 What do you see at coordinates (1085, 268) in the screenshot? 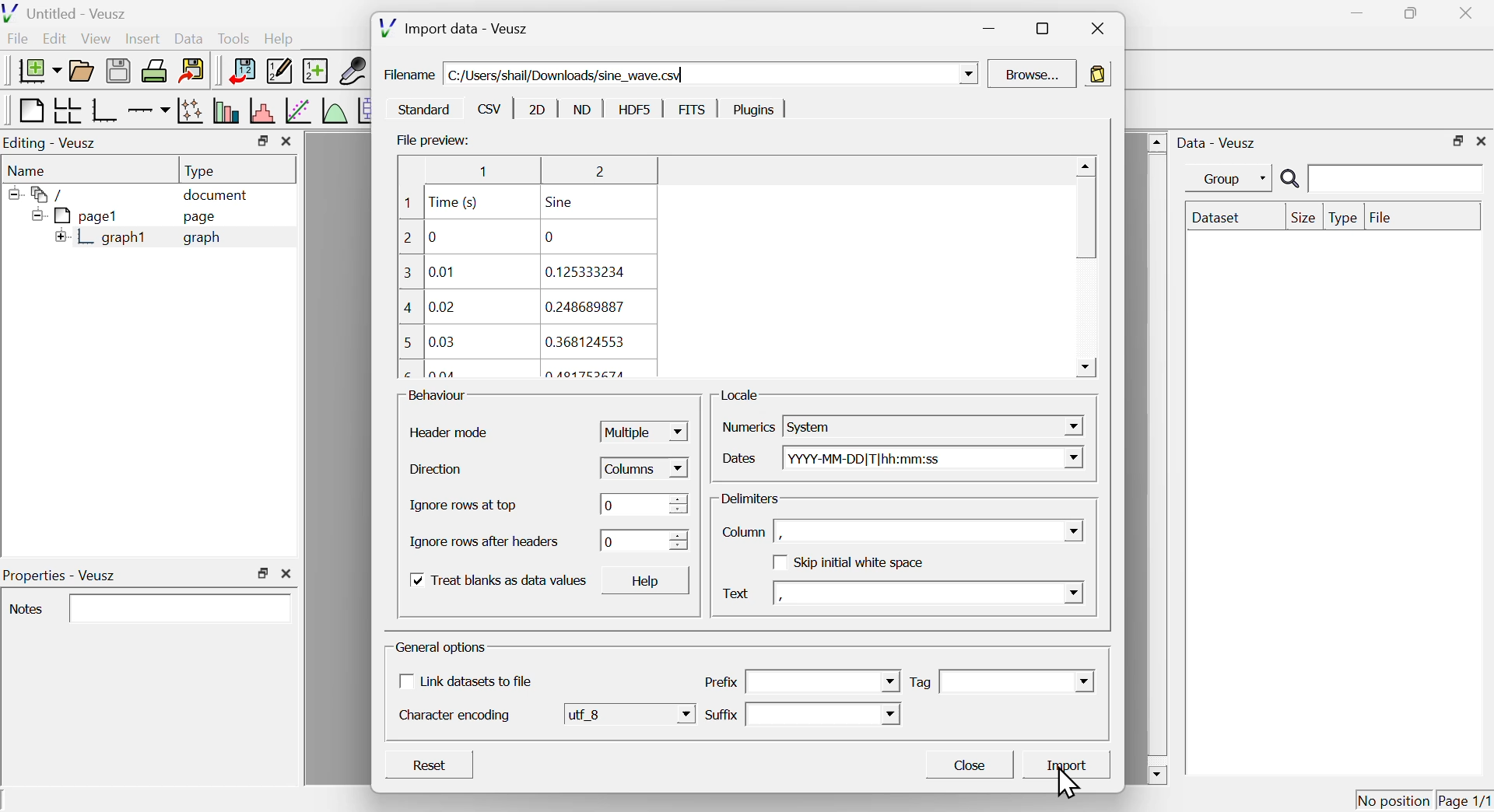
I see `scrollbar` at bounding box center [1085, 268].